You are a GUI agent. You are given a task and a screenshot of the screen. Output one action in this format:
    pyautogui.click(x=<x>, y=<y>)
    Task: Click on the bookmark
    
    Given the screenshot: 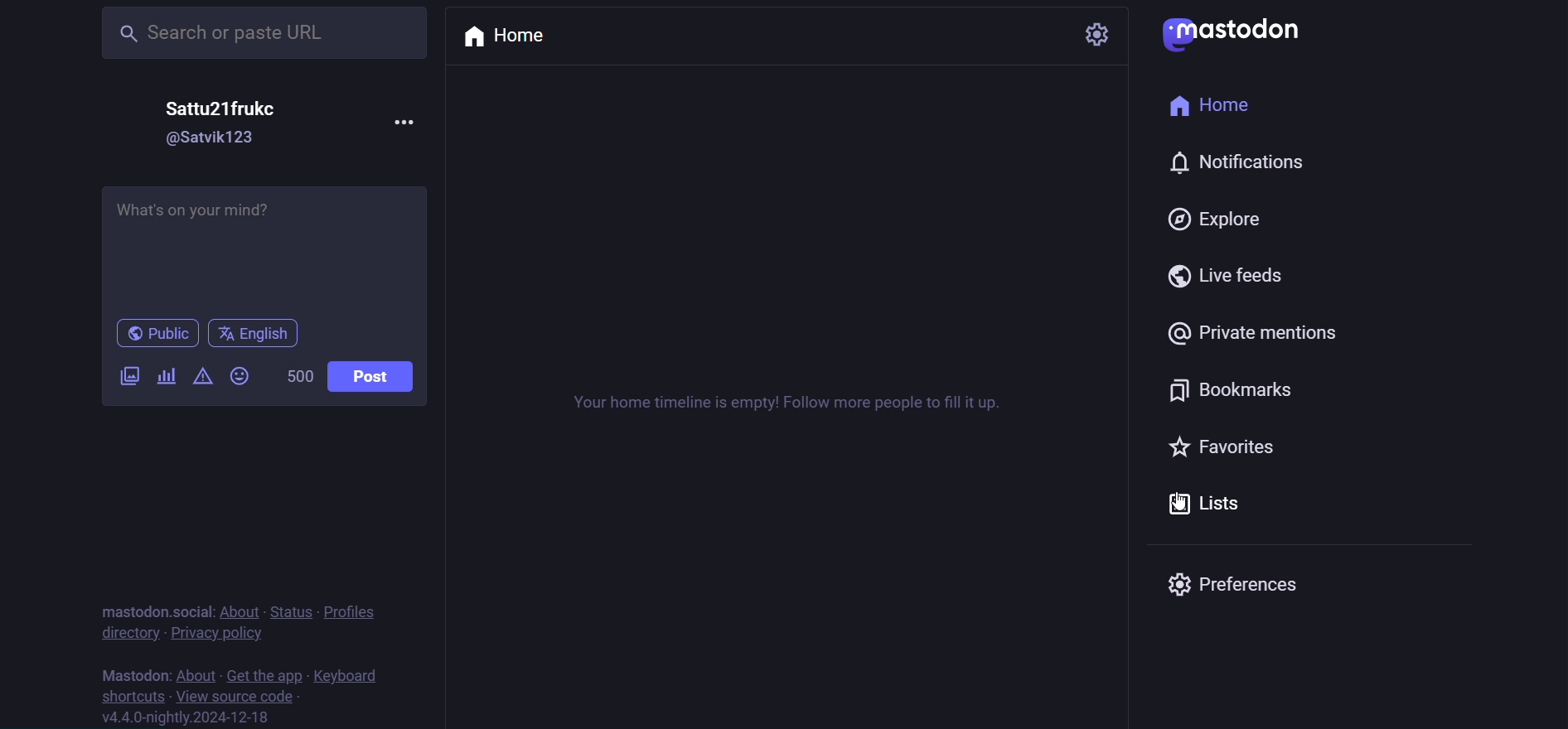 What is the action you would take?
    pyautogui.click(x=1237, y=390)
    